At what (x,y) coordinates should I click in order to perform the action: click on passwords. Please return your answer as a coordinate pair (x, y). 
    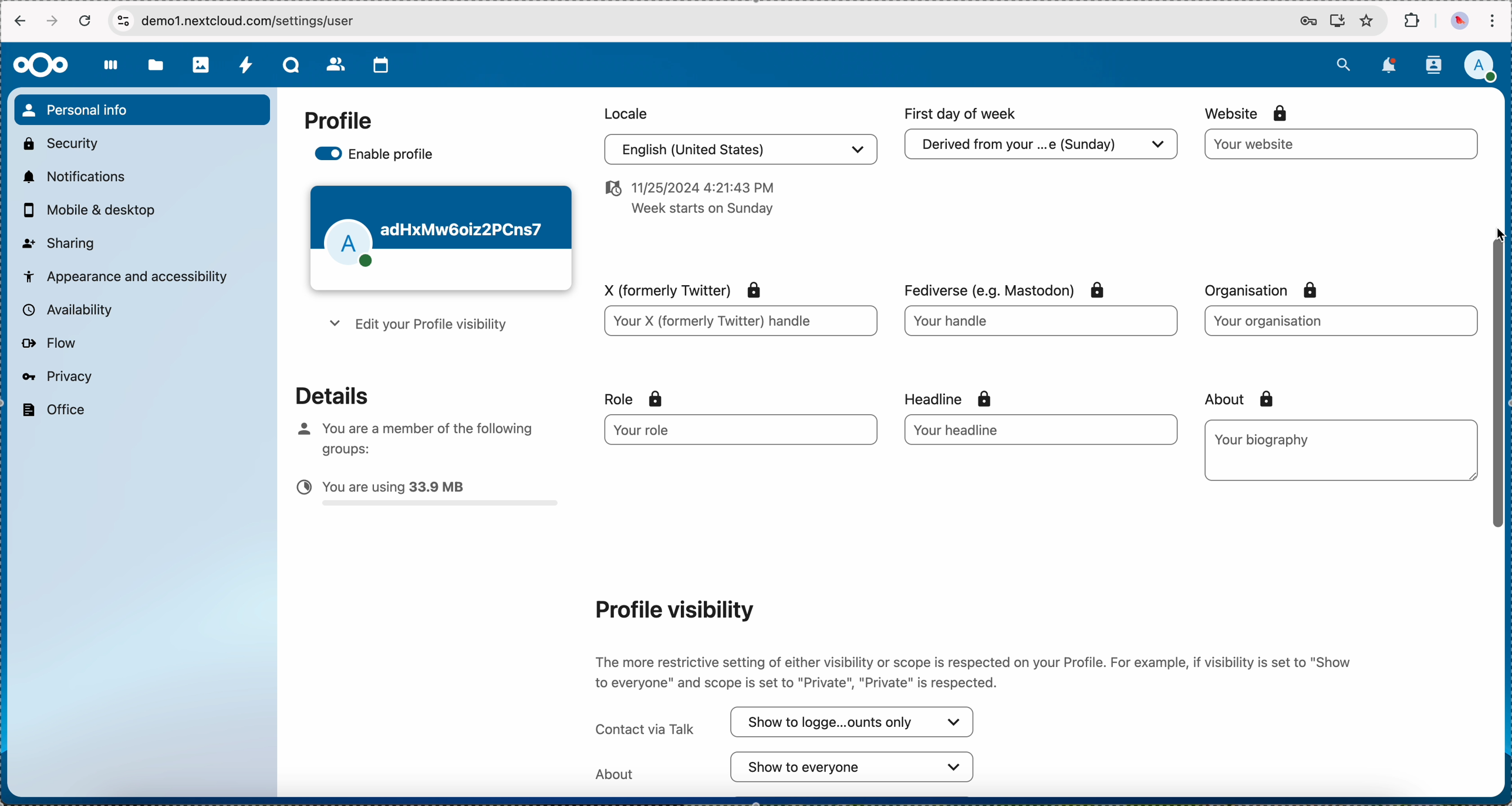
    Looking at the image, I should click on (1305, 22).